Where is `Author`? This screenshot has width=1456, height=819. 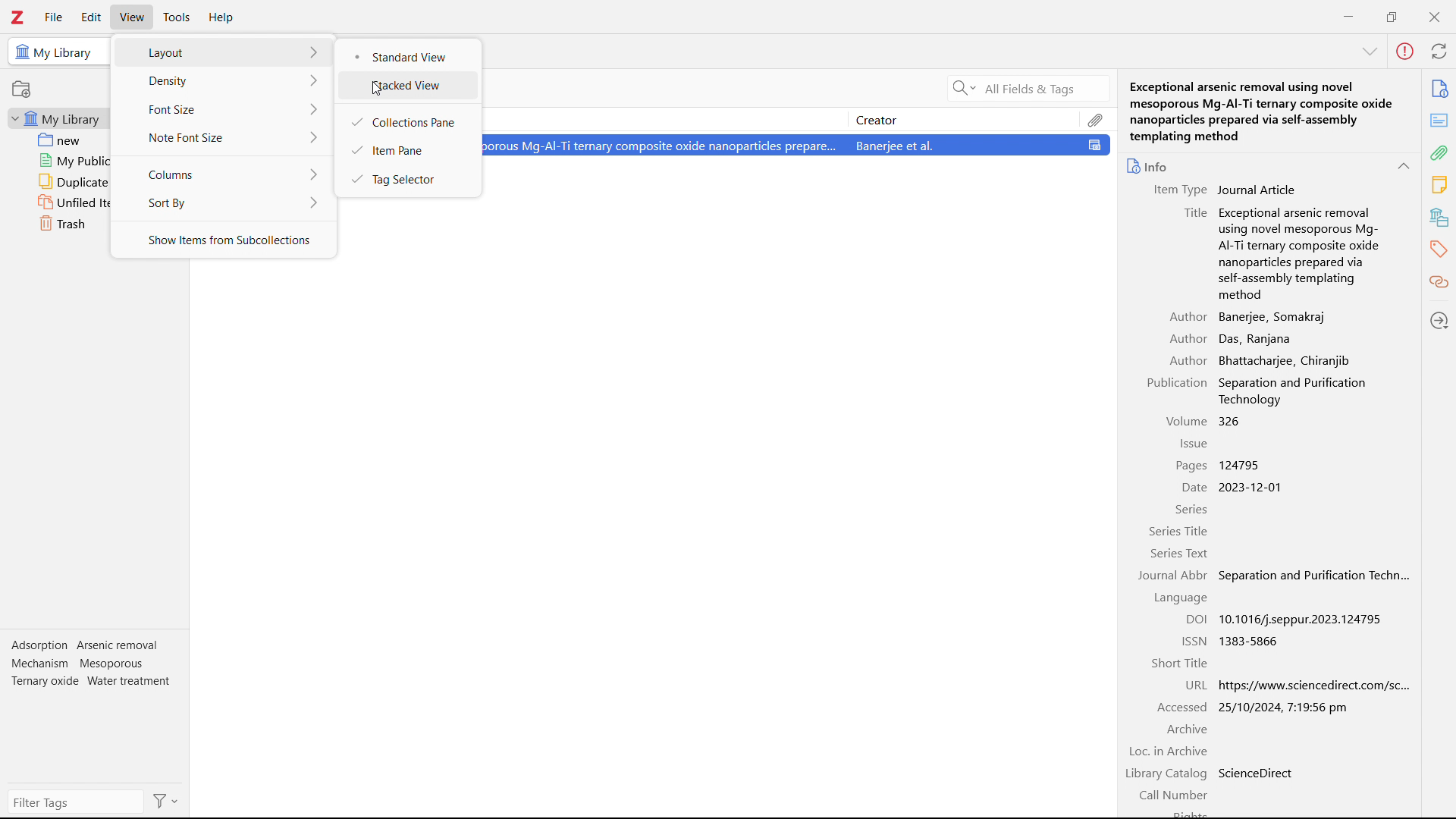
Author is located at coordinates (1189, 316).